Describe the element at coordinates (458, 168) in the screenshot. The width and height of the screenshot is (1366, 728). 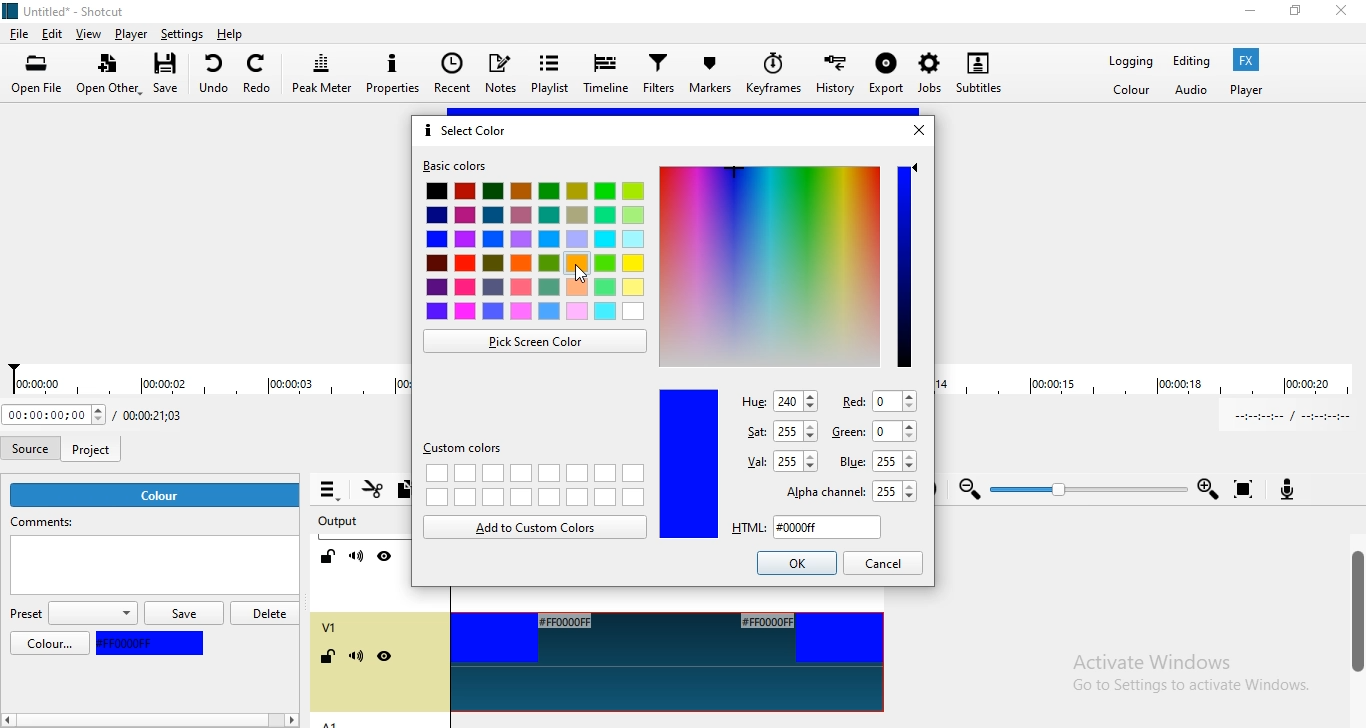
I see `basic colors` at that location.